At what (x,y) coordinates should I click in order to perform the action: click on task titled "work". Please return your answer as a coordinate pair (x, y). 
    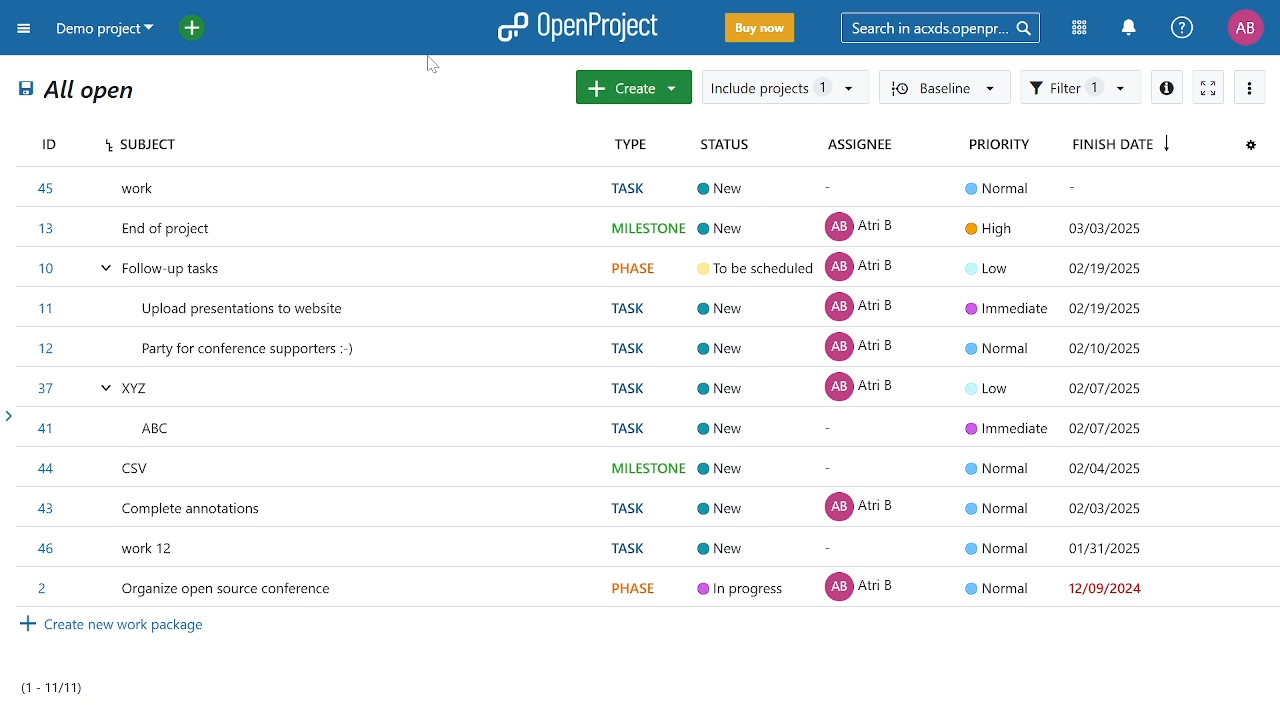
    Looking at the image, I should click on (651, 545).